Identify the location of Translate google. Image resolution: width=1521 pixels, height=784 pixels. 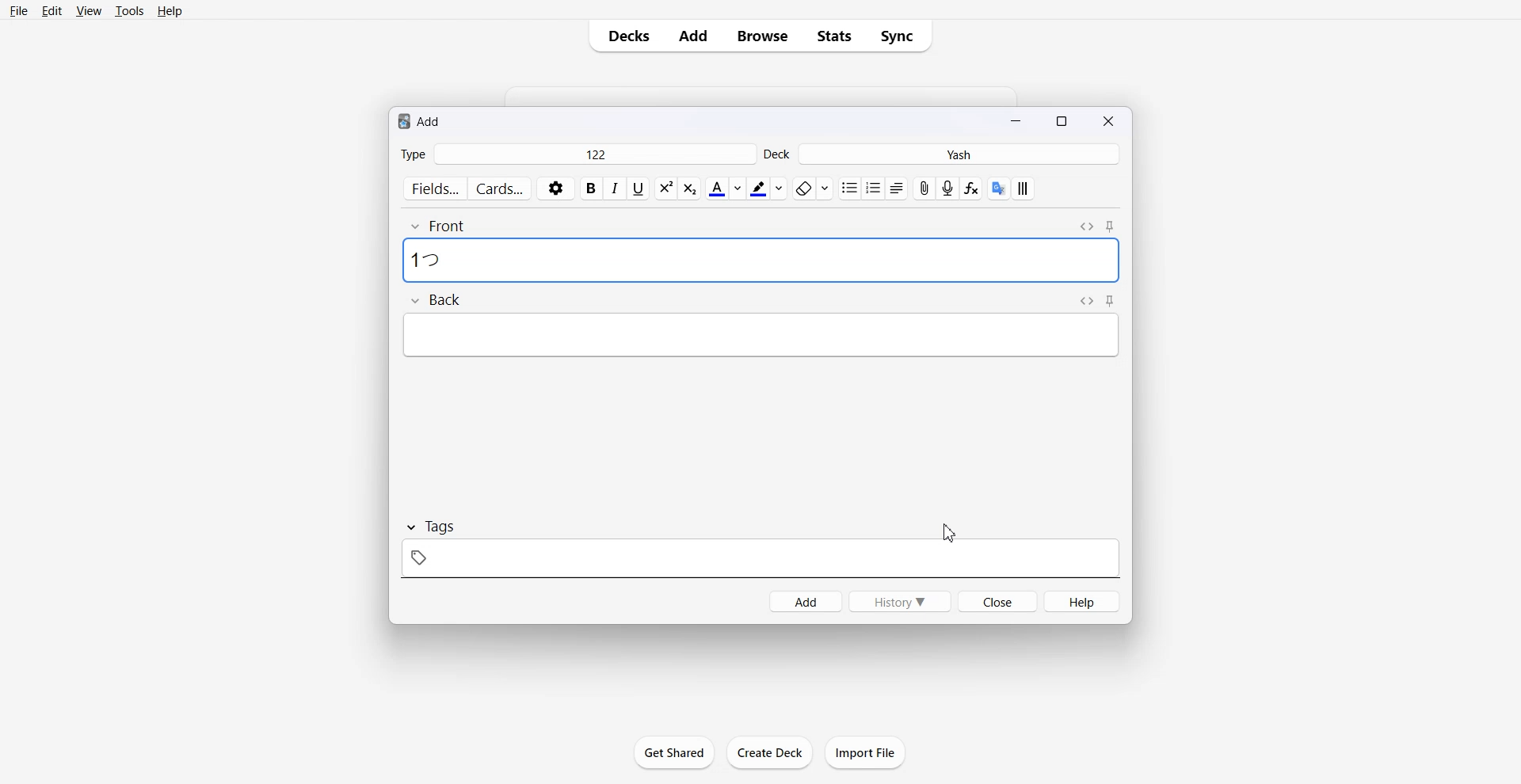
(997, 188).